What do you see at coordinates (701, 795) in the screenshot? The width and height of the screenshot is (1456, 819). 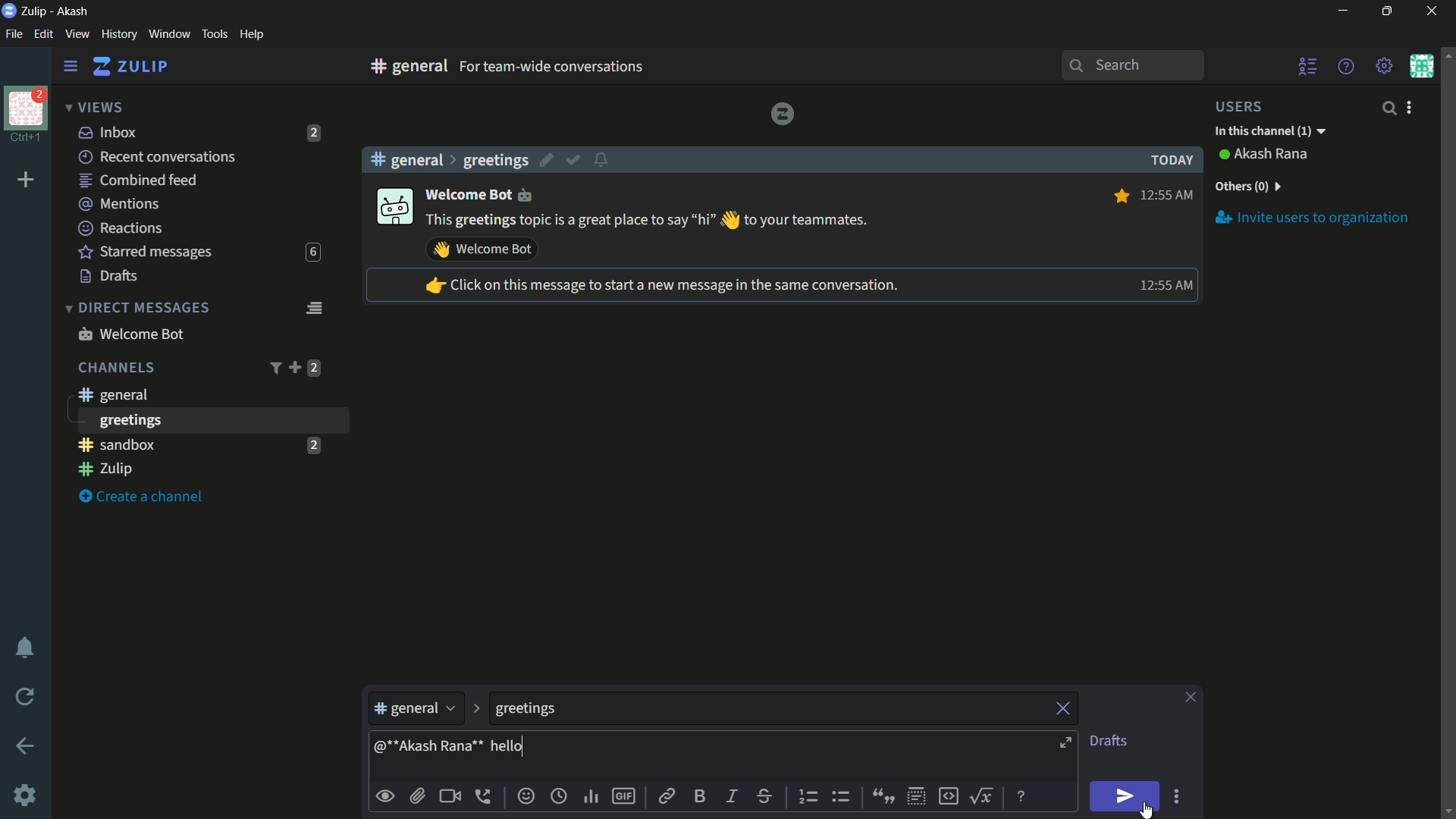 I see `bold` at bounding box center [701, 795].